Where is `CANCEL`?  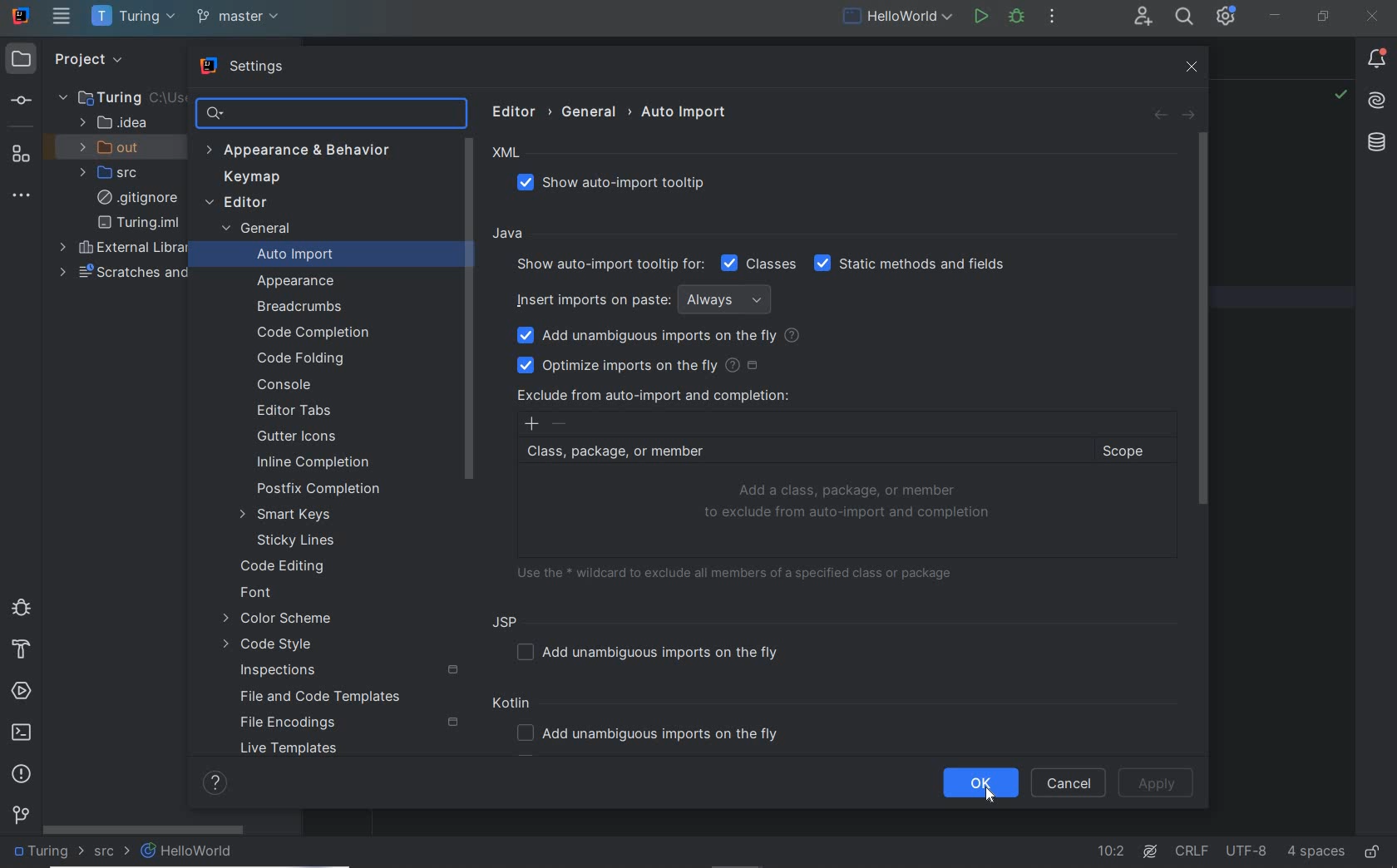
CANCEL is located at coordinates (1069, 783).